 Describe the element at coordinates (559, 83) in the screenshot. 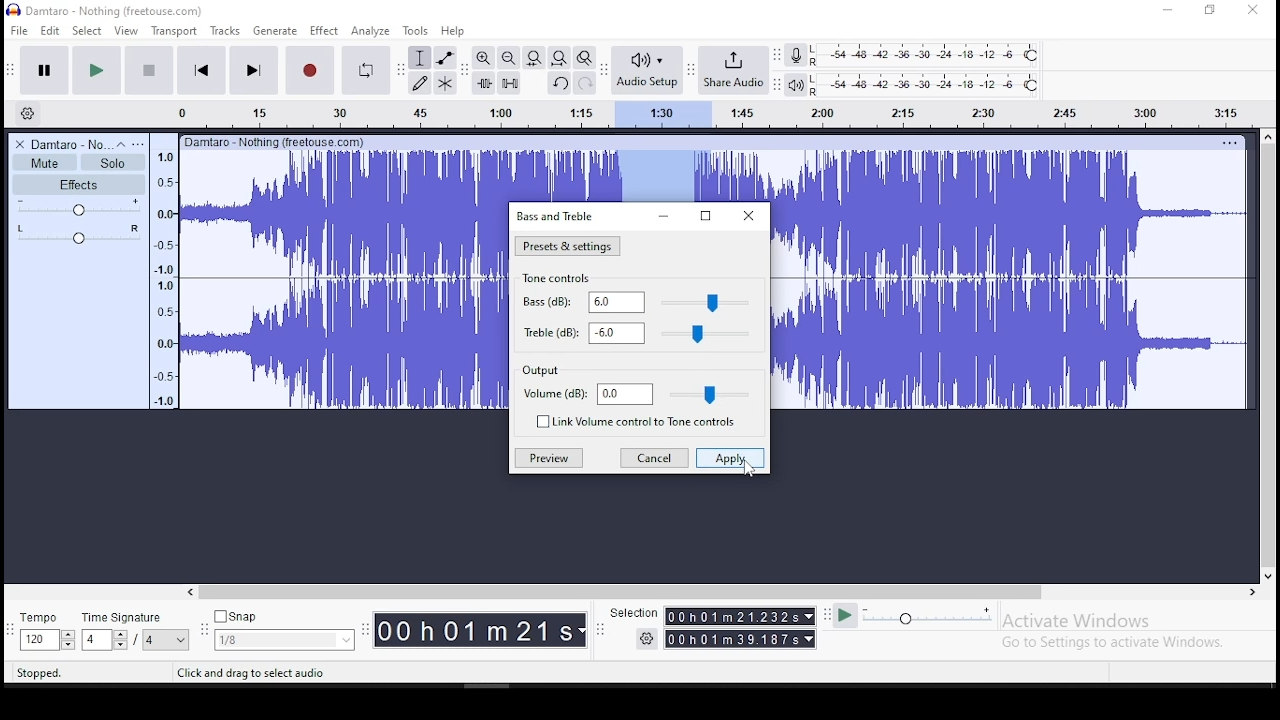

I see `undo` at that location.